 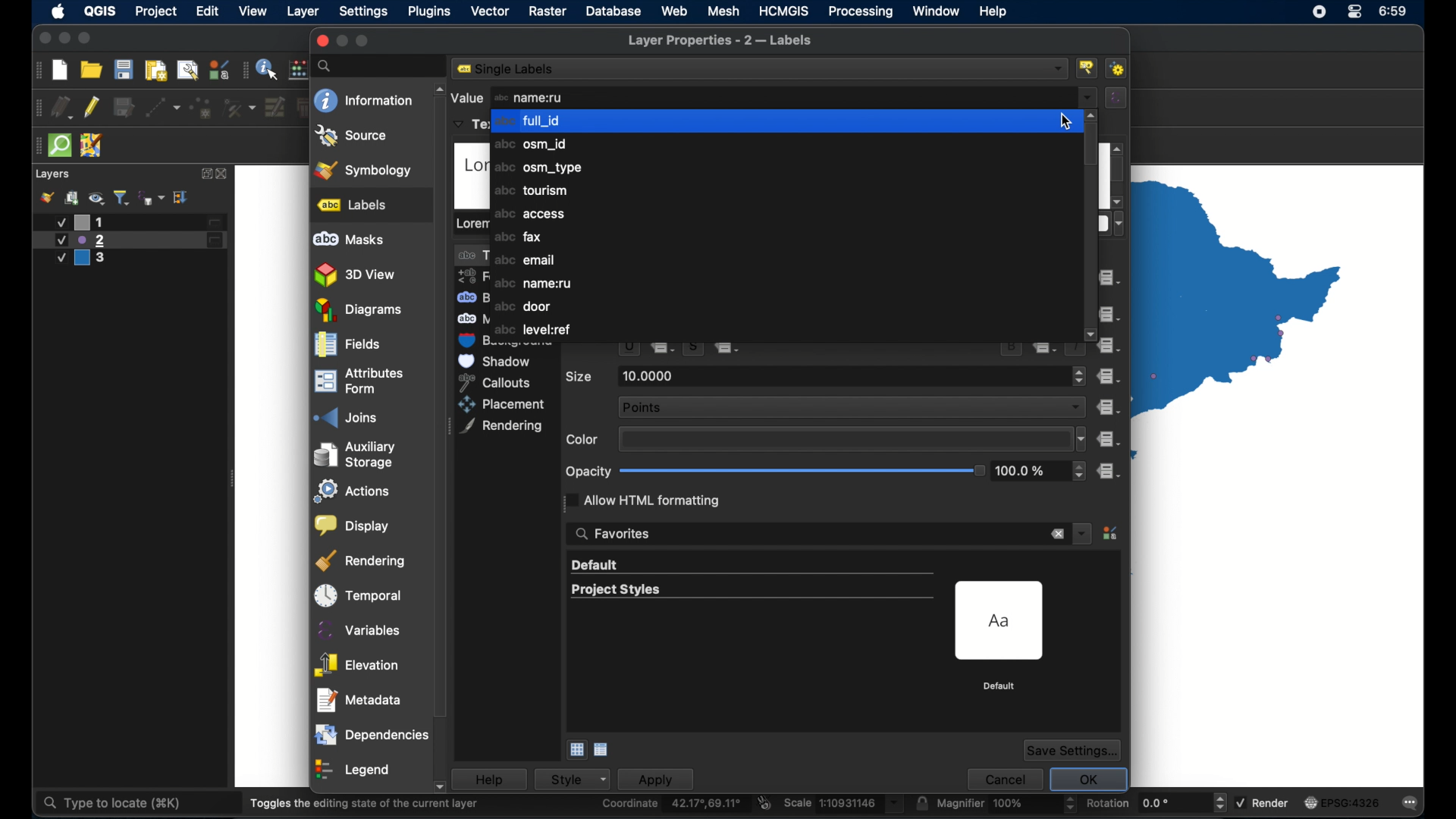 What do you see at coordinates (548, 11) in the screenshot?
I see `raster` at bounding box center [548, 11].